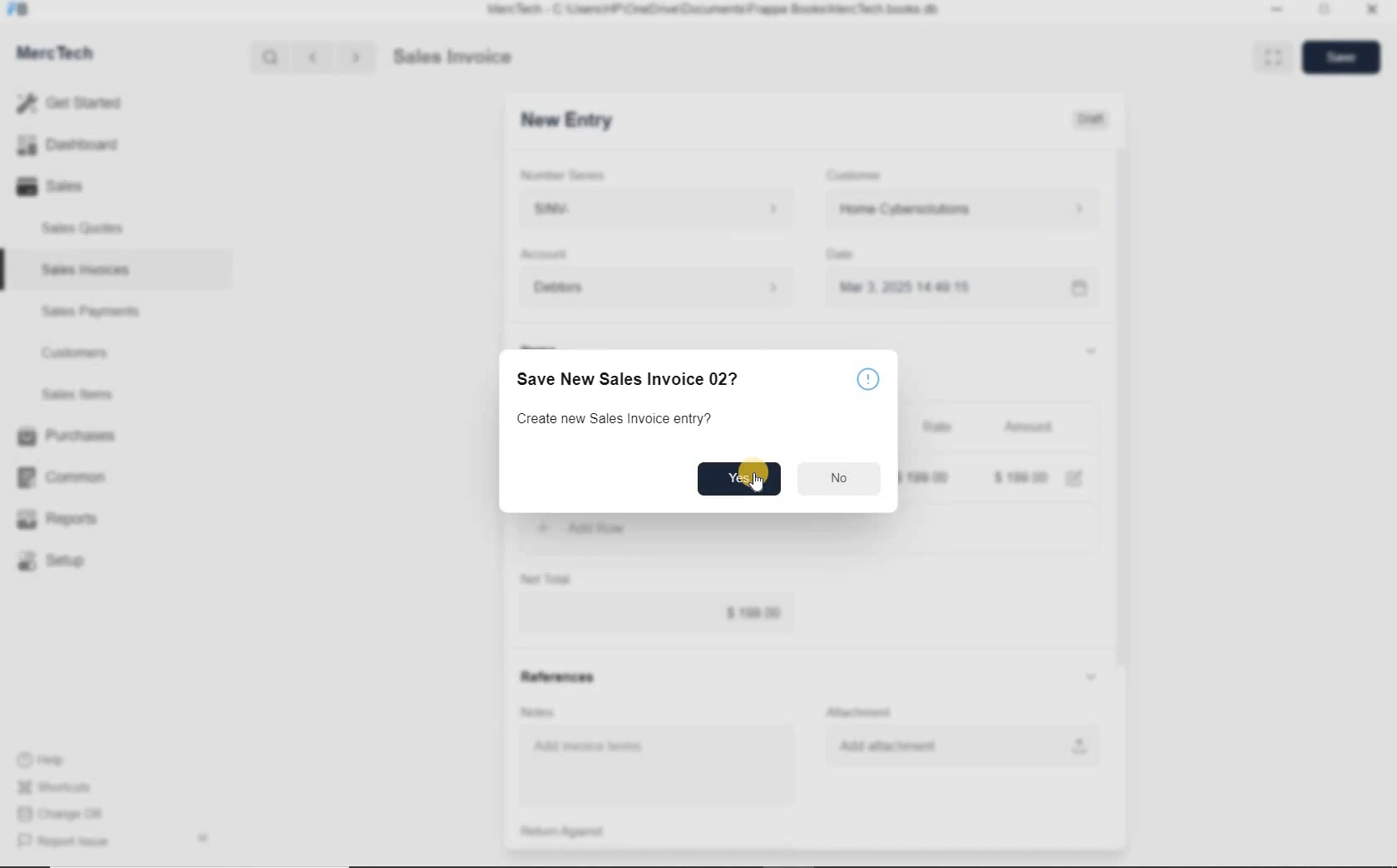 The image size is (1397, 868). Describe the element at coordinates (659, 289) in the screenshot. I see `Account dropdown` at that location.